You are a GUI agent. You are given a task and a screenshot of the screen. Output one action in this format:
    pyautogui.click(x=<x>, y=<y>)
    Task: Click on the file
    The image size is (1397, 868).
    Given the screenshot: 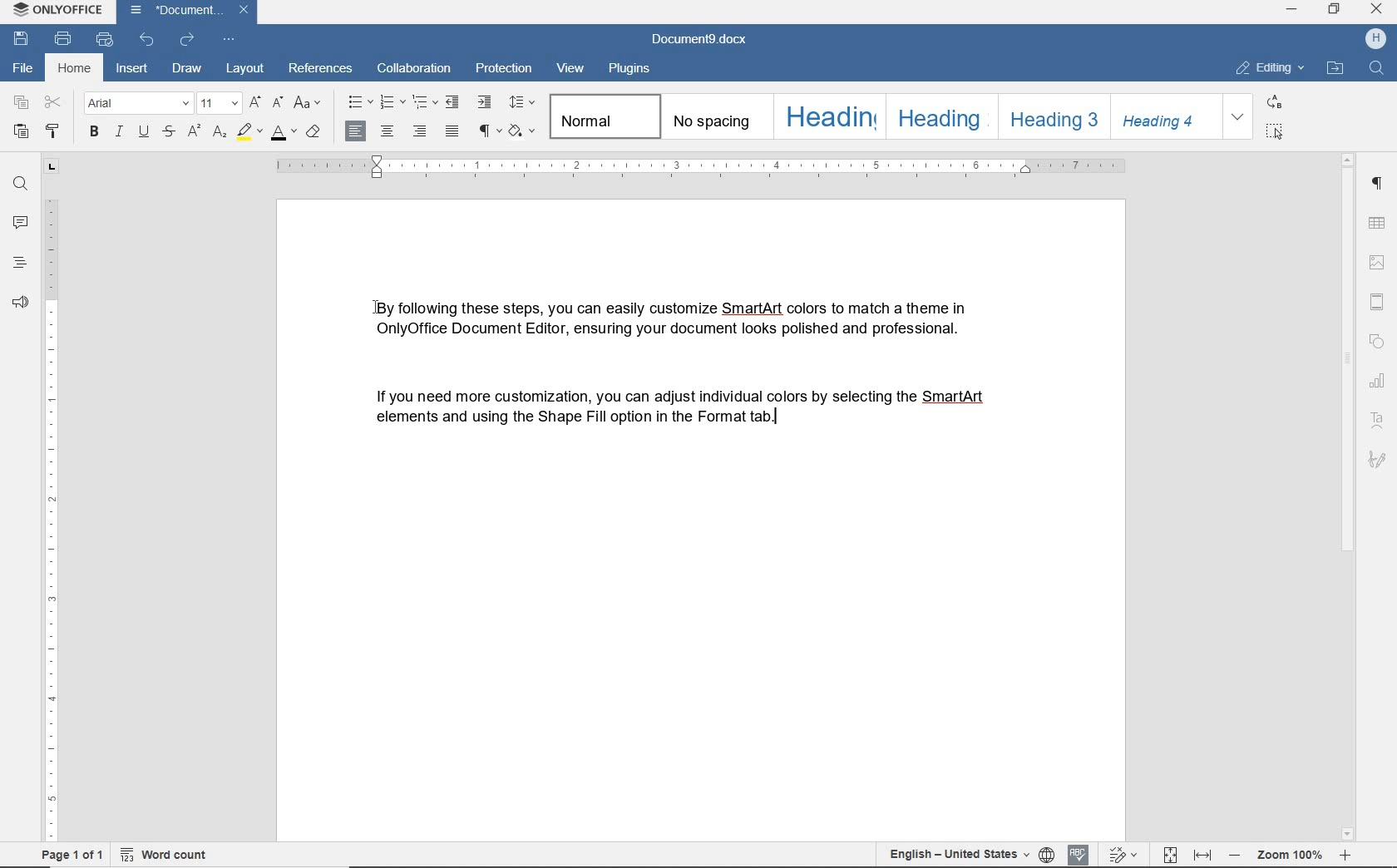 What is the action you would take?
    pyautogui.click(x=22, y=65)
    